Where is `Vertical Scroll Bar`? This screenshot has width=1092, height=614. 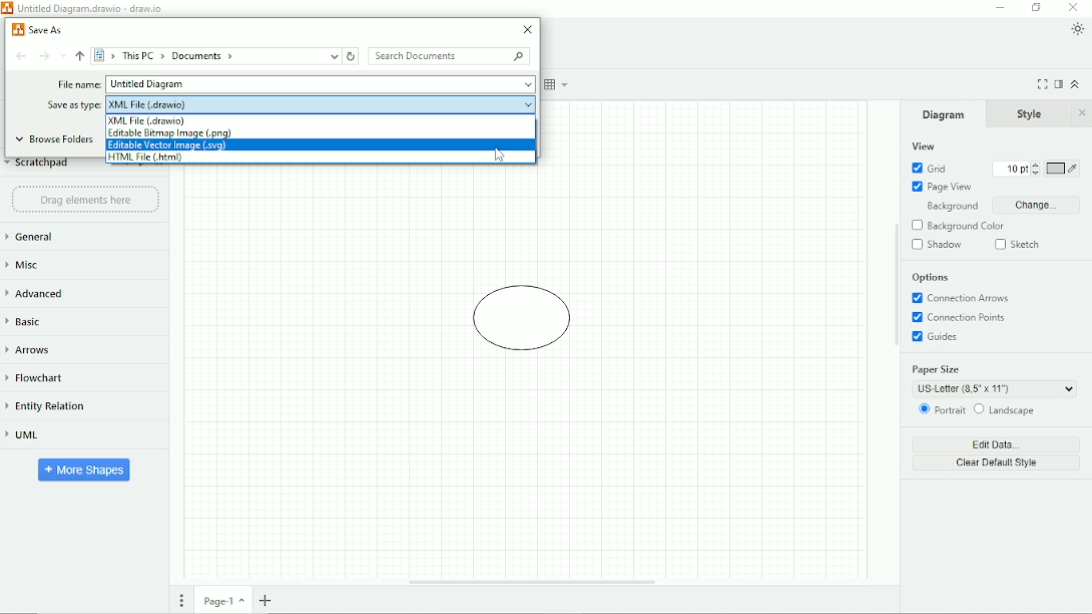 Vertical Scroll Bar is located at coordinates (895, 343).